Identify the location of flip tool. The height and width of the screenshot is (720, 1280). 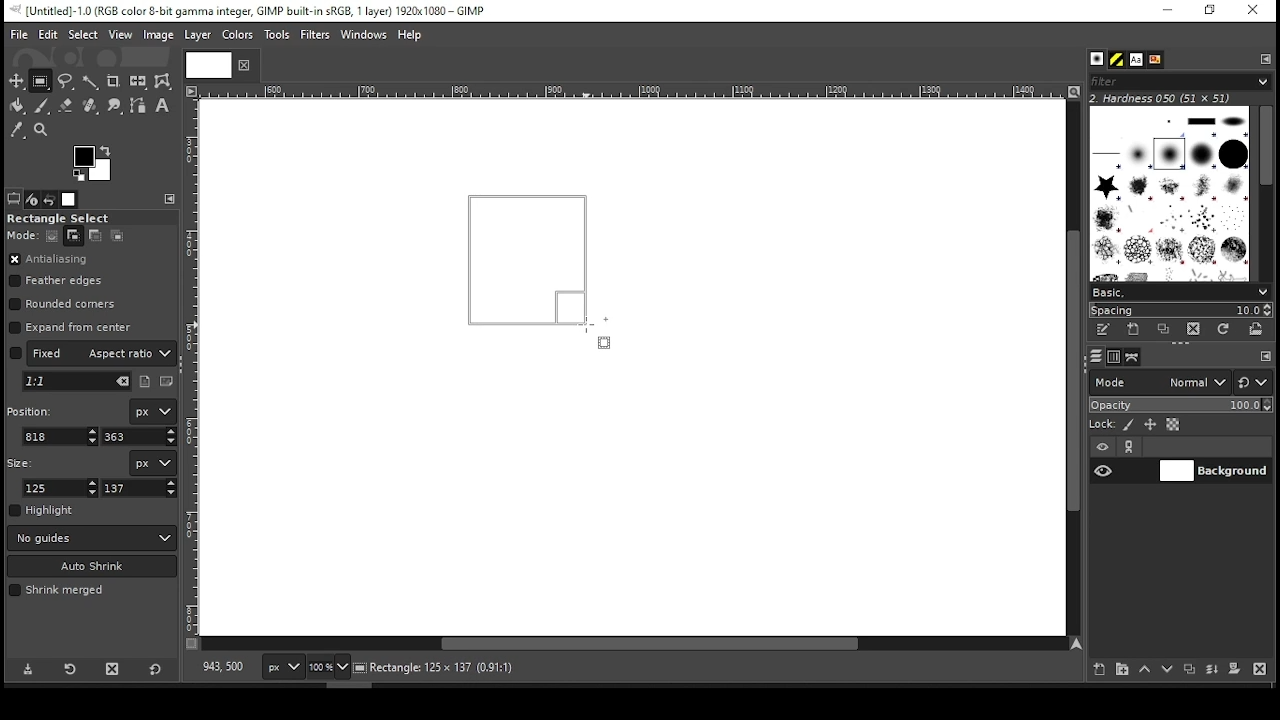
(138, 80).